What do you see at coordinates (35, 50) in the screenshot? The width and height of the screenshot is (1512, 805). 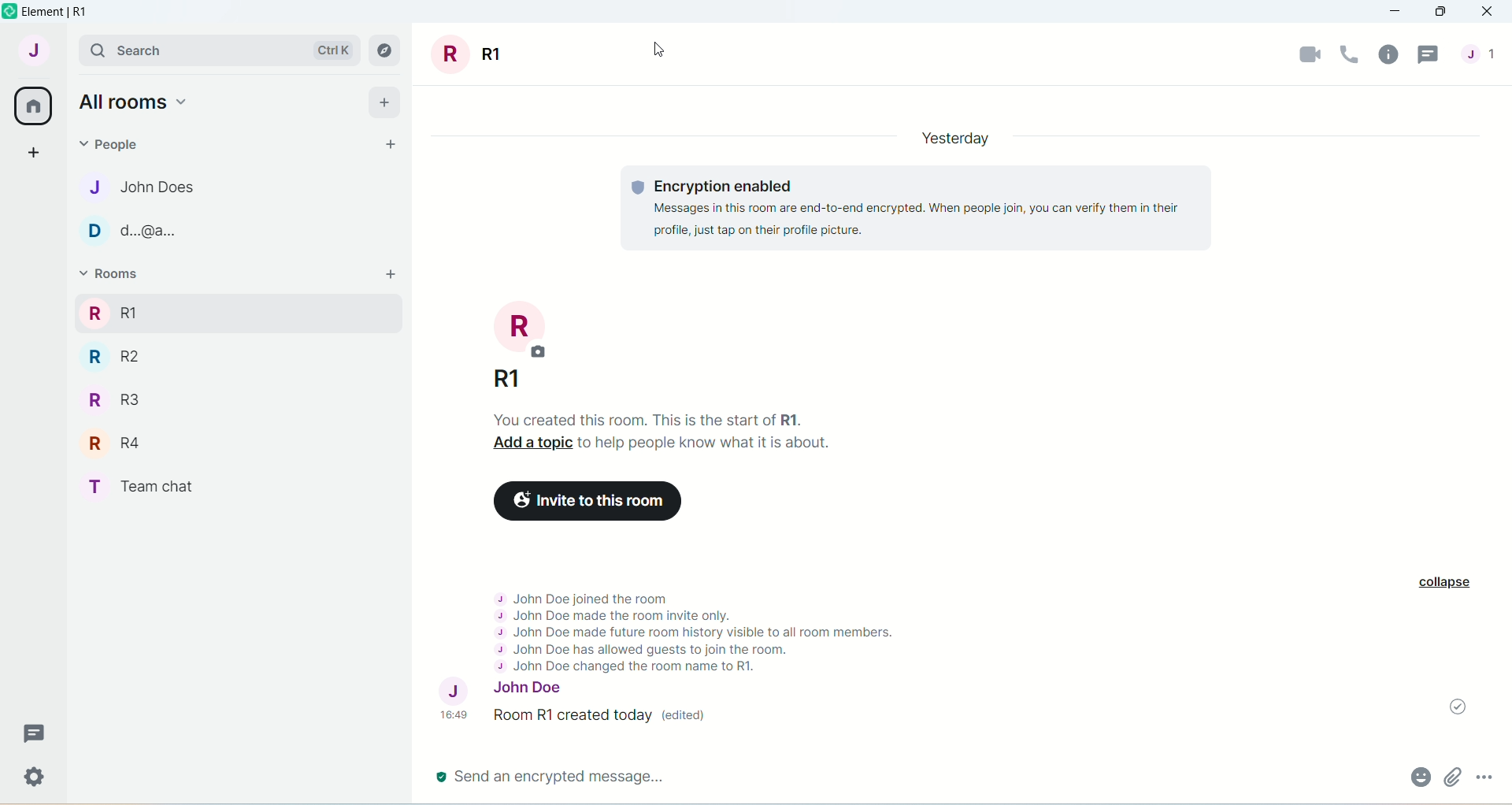 I see `account` at bounding box center [35, 50].